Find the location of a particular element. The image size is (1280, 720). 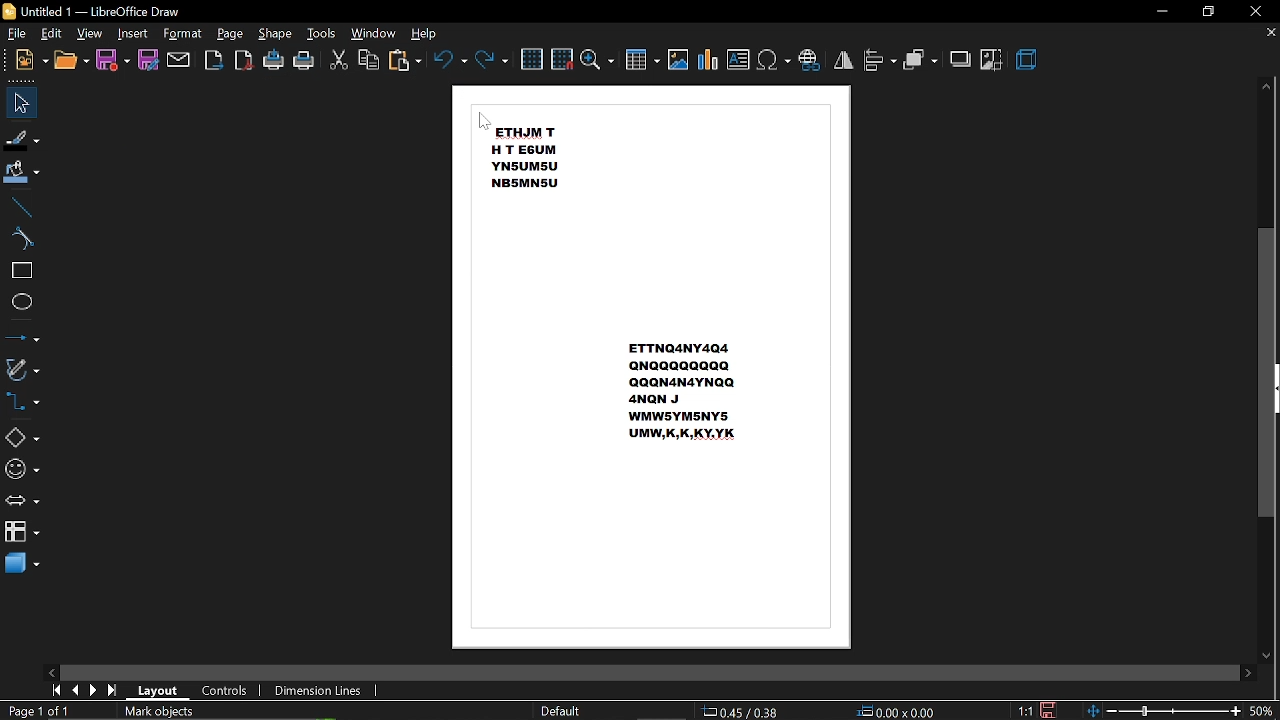

paste is located at coordinates (403, 61).